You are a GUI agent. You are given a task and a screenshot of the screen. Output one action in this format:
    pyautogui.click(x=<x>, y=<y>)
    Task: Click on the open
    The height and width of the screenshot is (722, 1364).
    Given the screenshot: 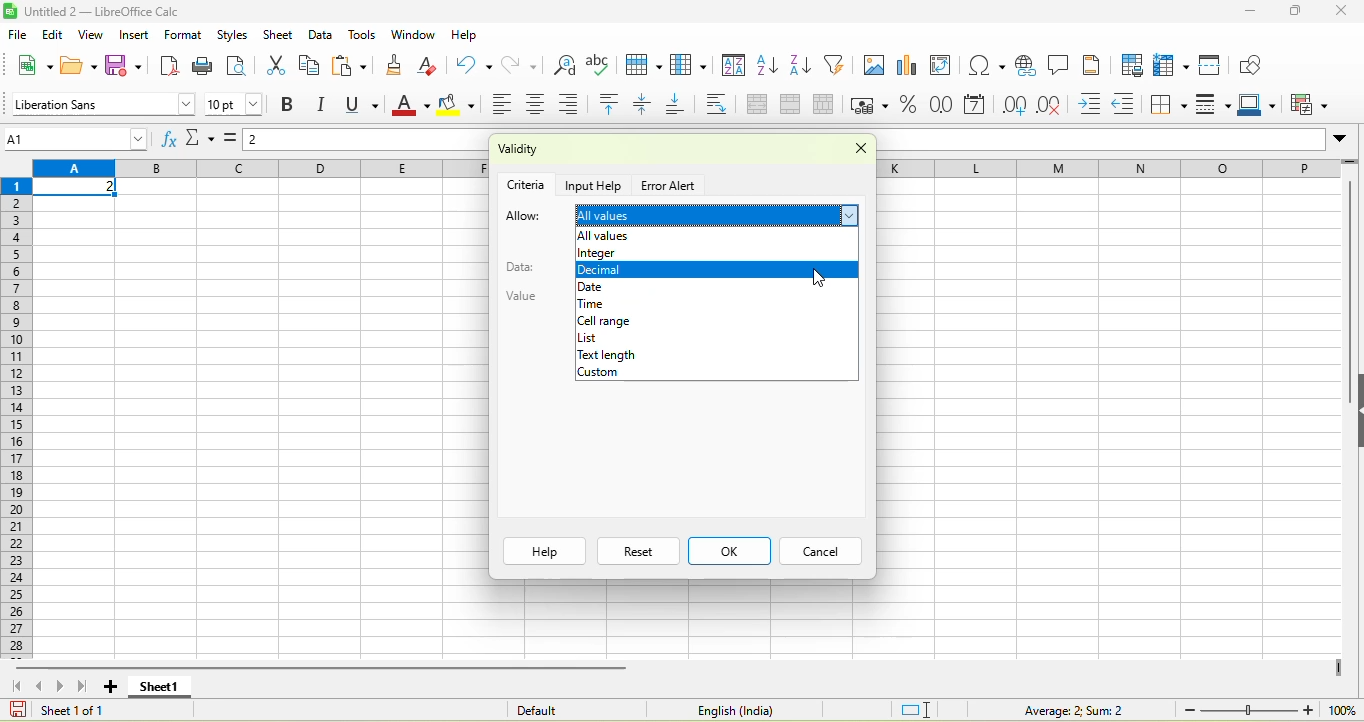 What is the action you would take?
    pyautogui.click(x=79, y=64)
    